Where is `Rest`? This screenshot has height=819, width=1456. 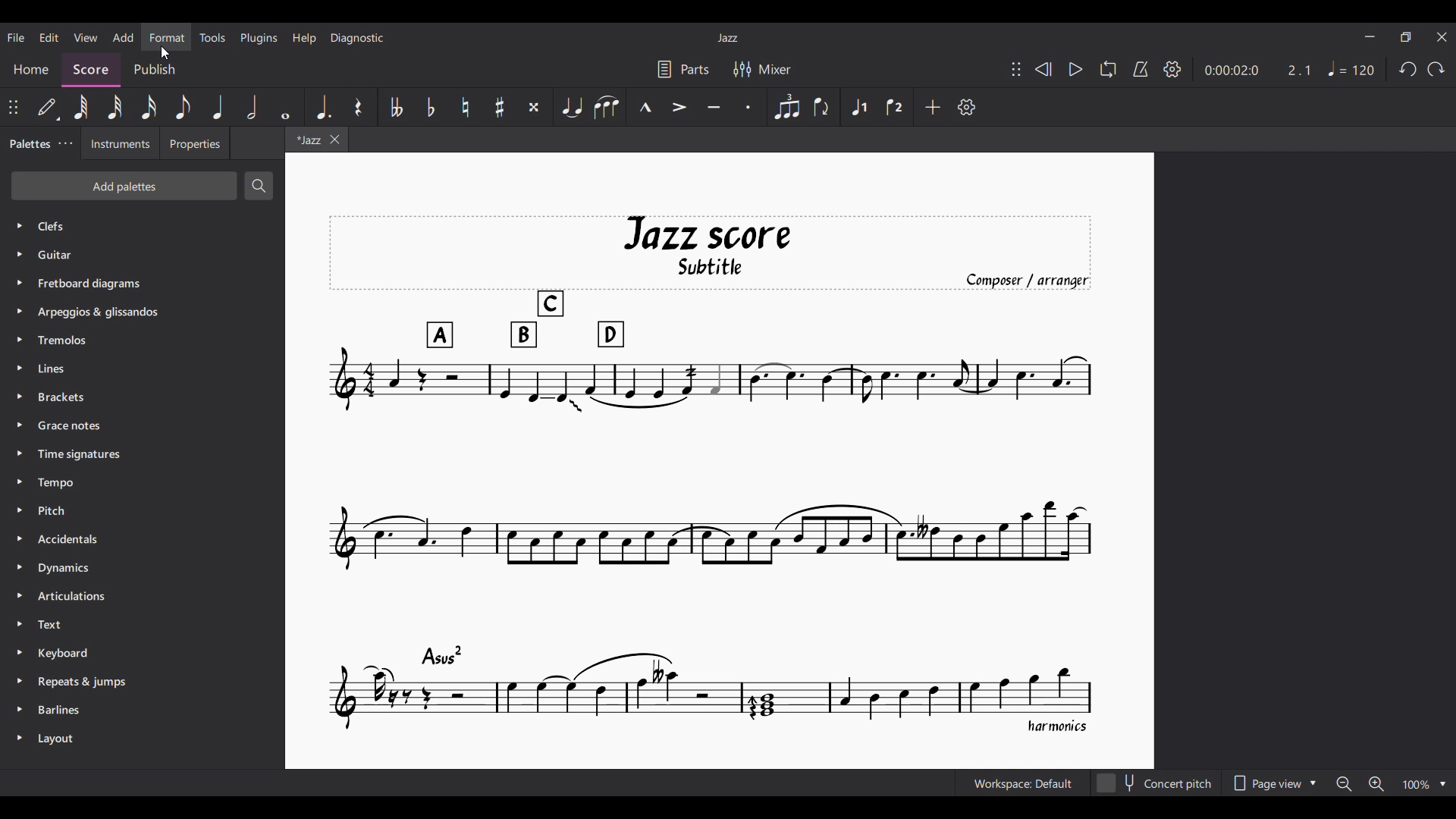
Rest is located at coordinates (359, 107).